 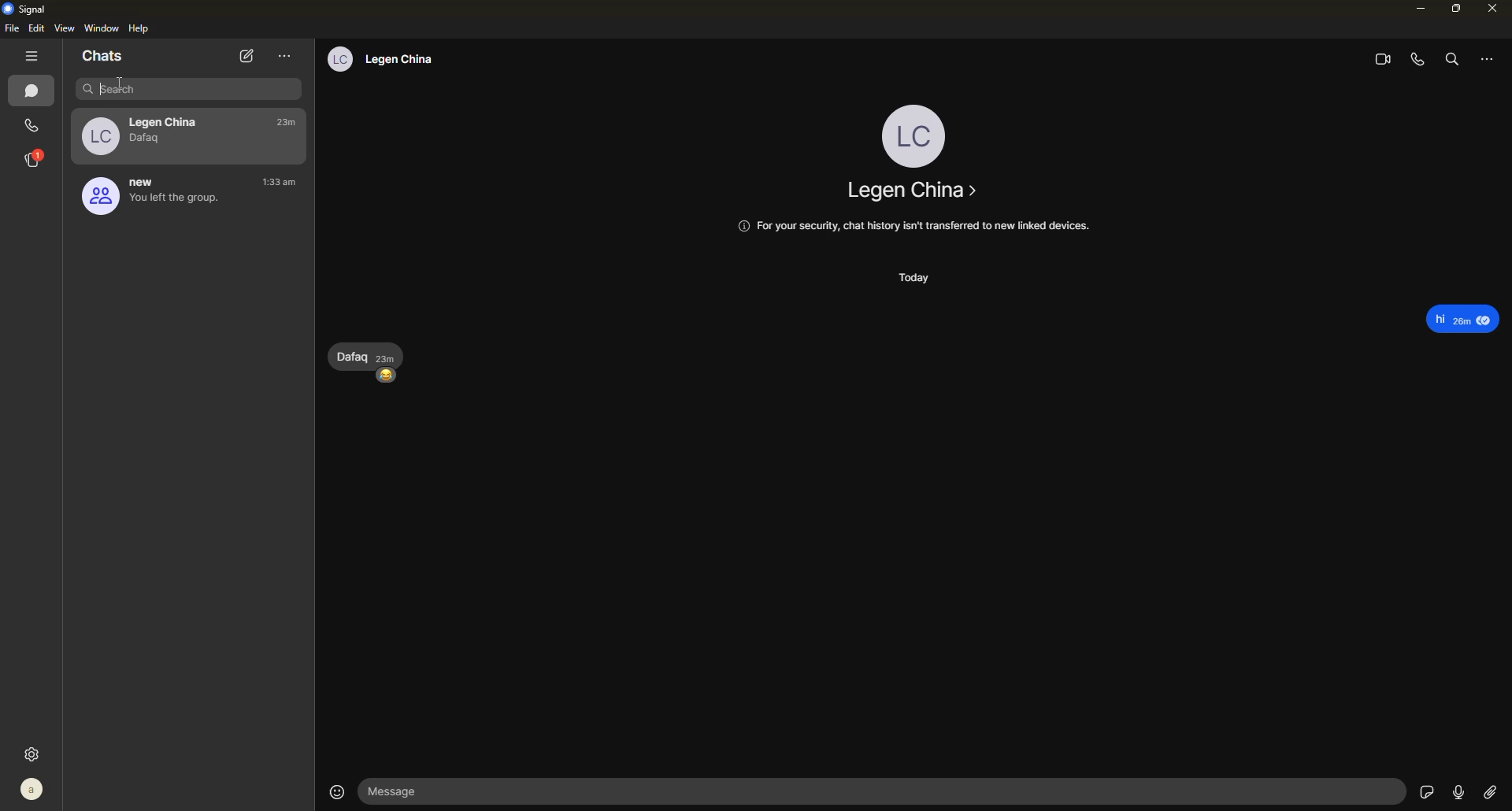 What do you see at coordinates (367, 356) in the screenshot?
I see `dafaq 23m` at bounding box center [367, 356].